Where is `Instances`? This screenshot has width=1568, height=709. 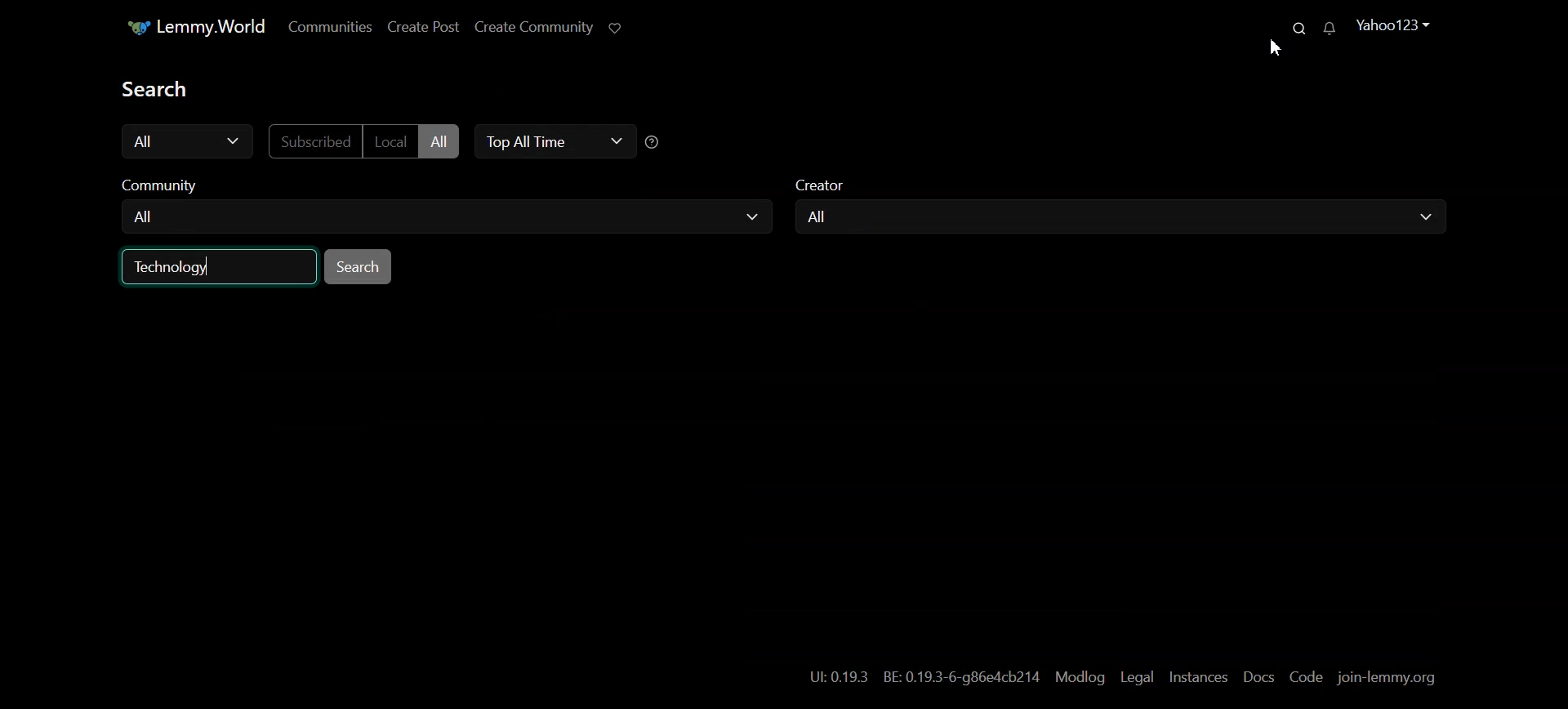
Instances is located at coordinates (1198, 676).